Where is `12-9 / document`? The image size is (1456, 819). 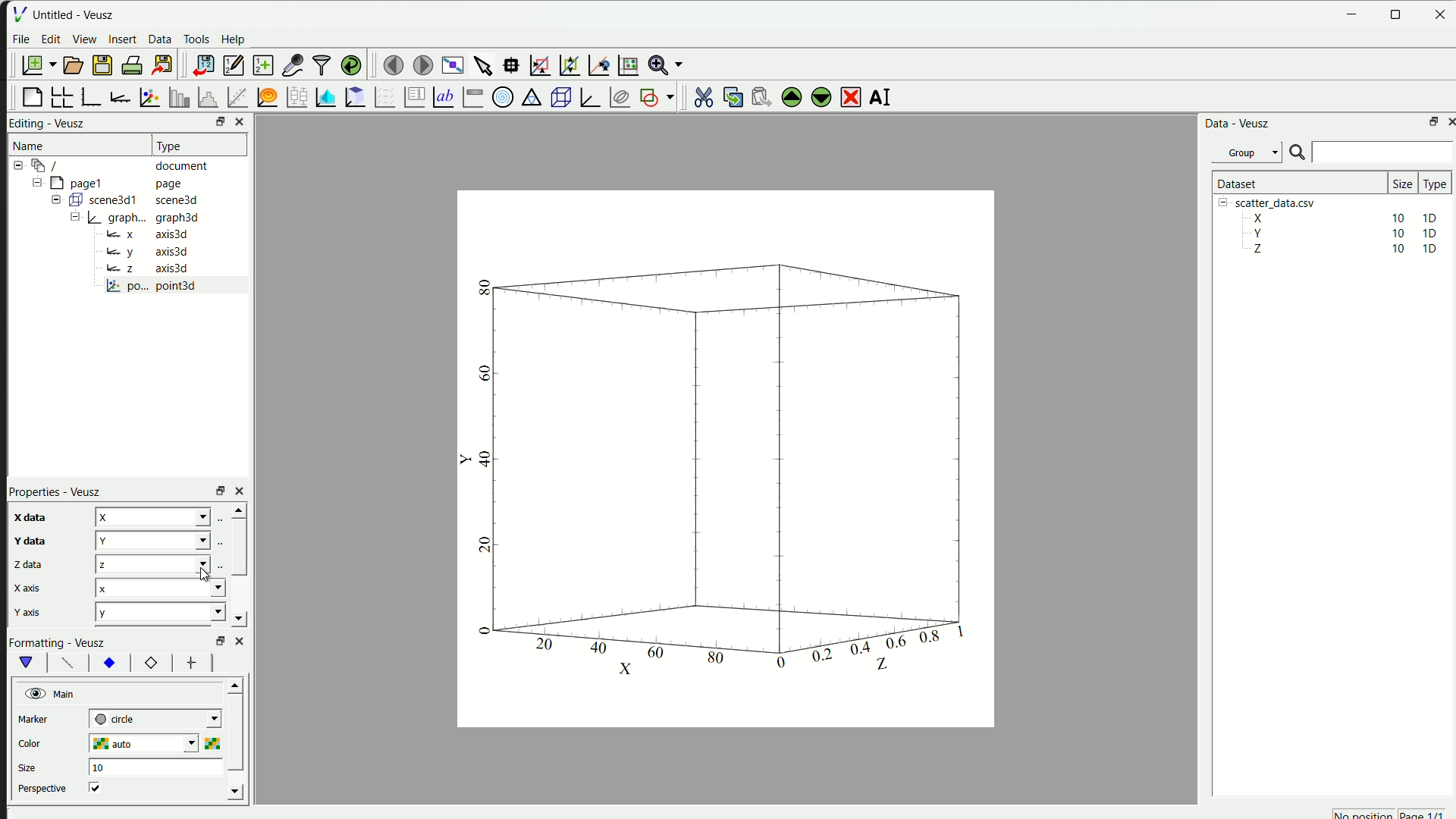 12-9 / document is located at coordinates (109, 165).